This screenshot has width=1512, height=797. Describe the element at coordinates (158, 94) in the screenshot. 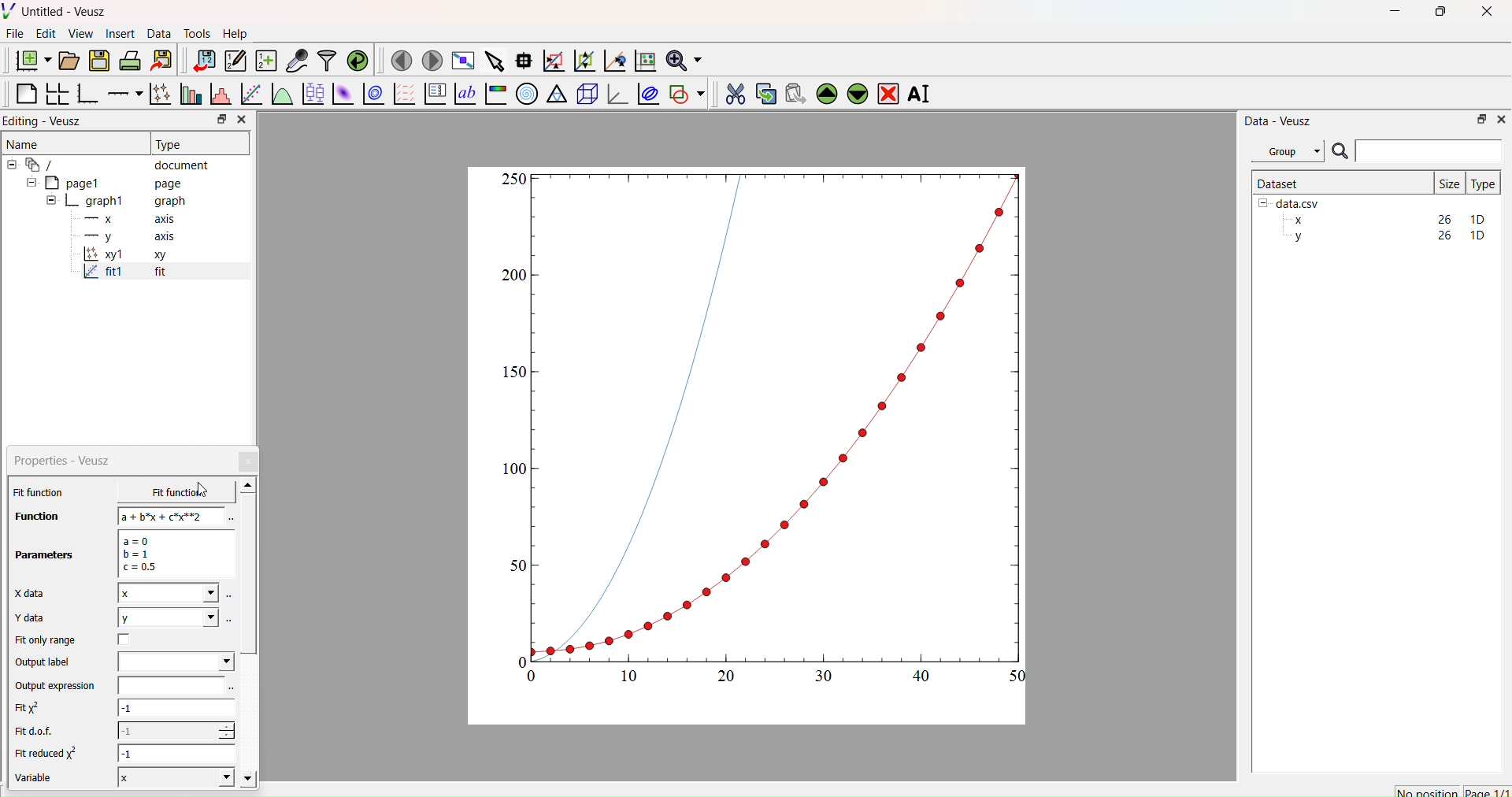

I see `Plot points with lines and errorbars` at that location.